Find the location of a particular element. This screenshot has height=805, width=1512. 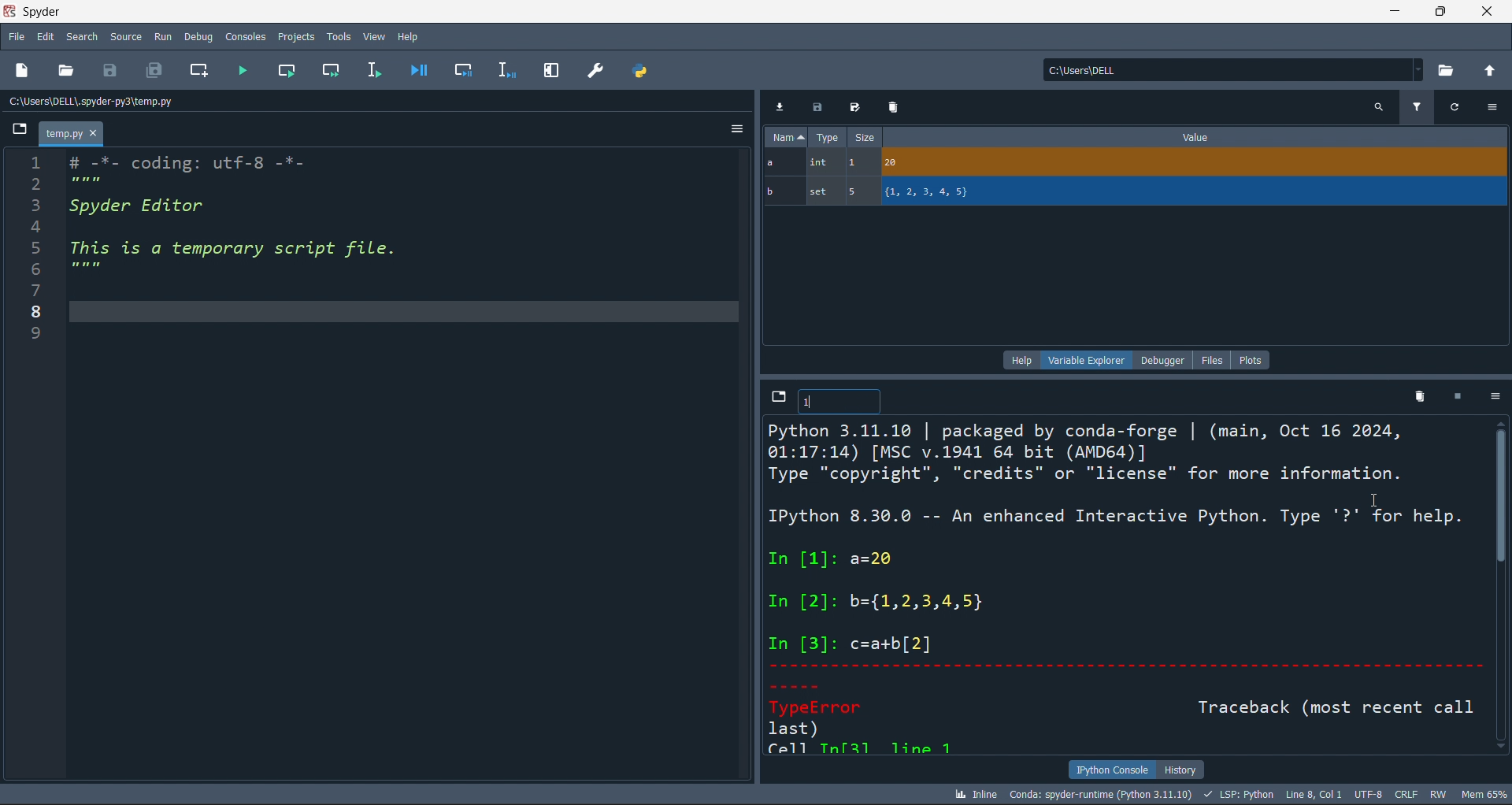

LSP:PYTHON is located at coordinates (1236, 795).